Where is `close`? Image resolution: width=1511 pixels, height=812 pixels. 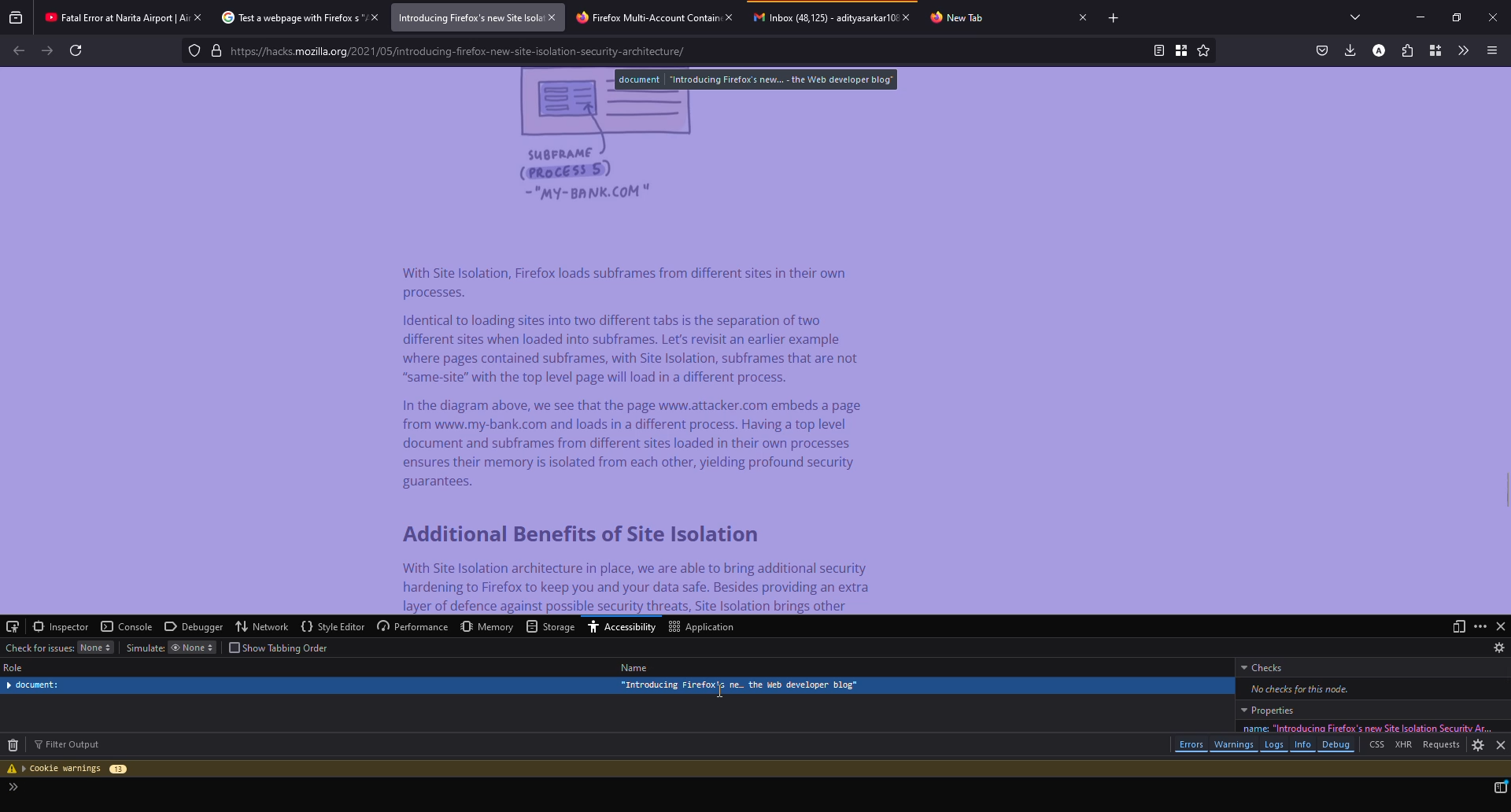 close is located at coordinates (1493, 17).